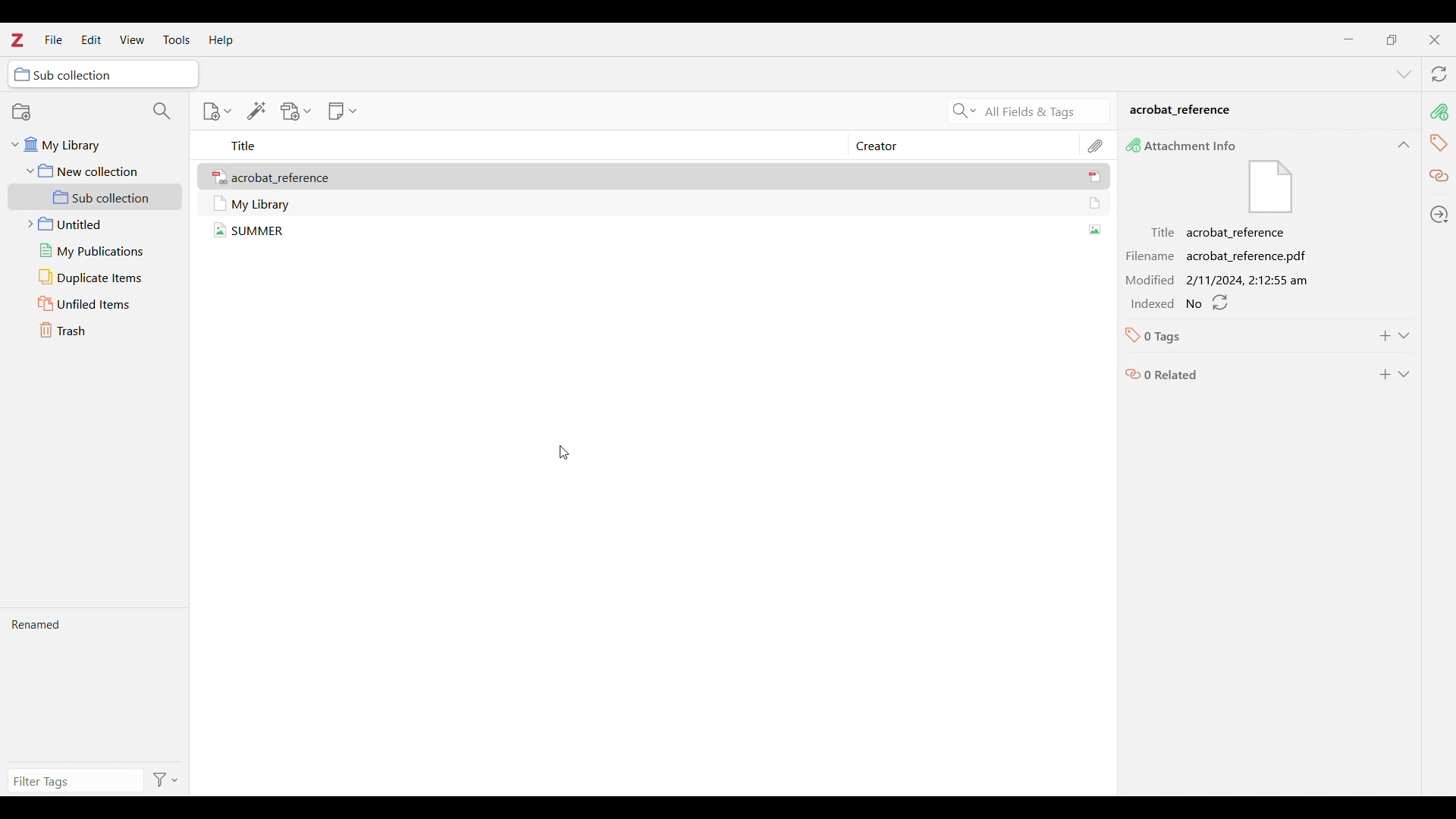 The height and width of the screenshot is (819, 1456). I want to click on My library folder, so click(92, 148).